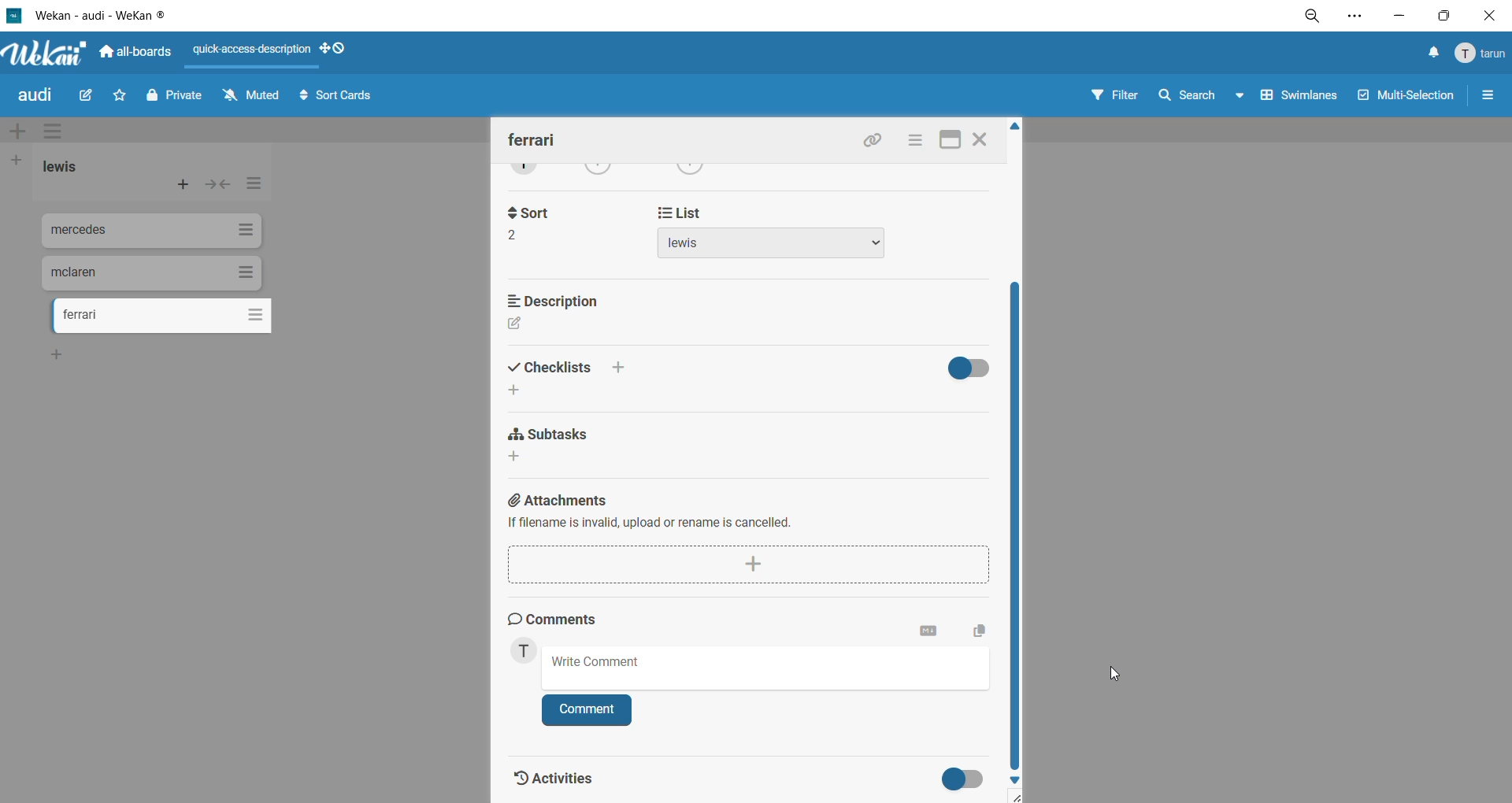  What do you see at coordinates (588, 709) in the screenshot?
I see `comment` at bounding box center [588, 709].